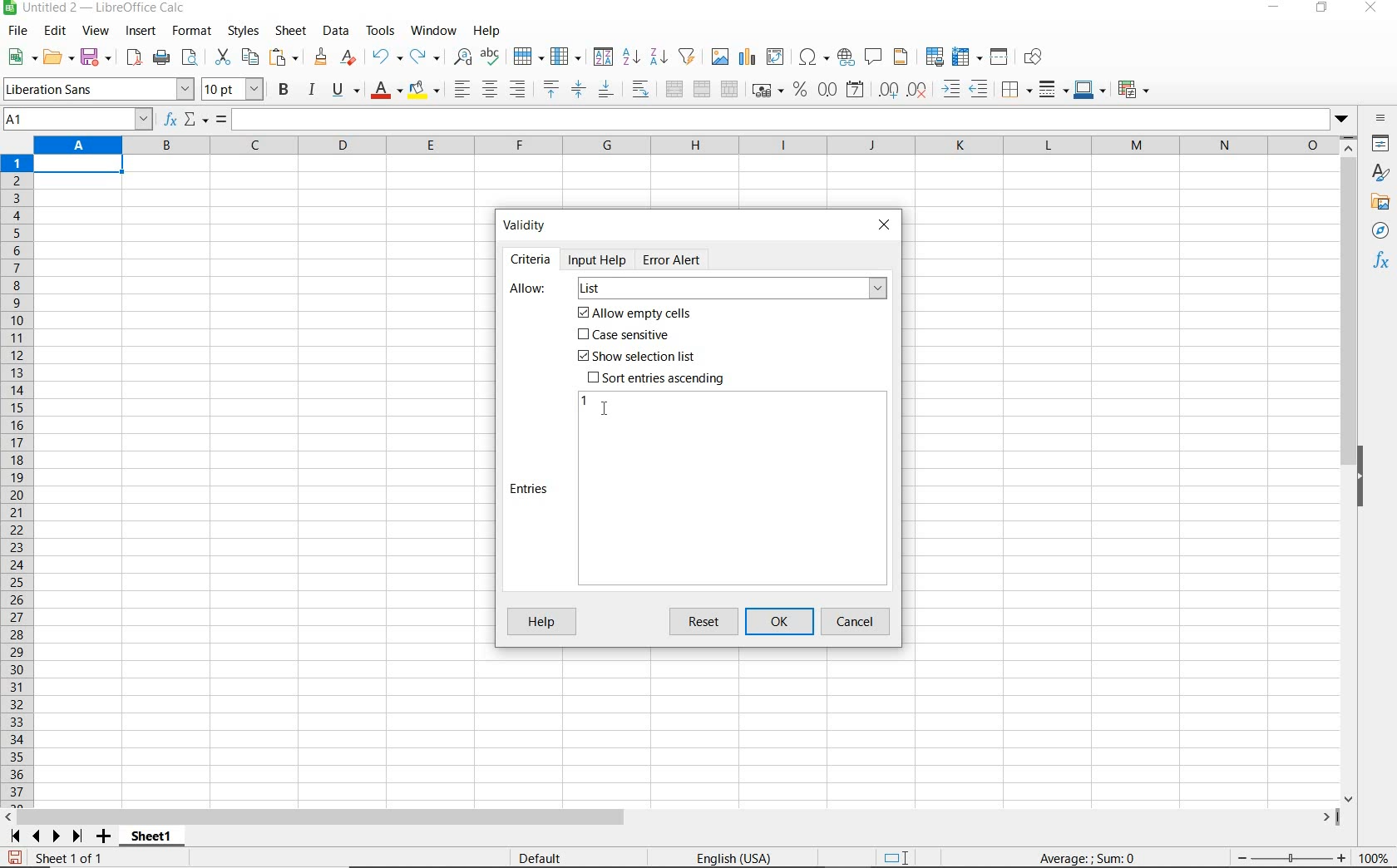  What do you see at coordinates (543, 859) in the screenshot?
I see `default` at bounding box center [543, 859].